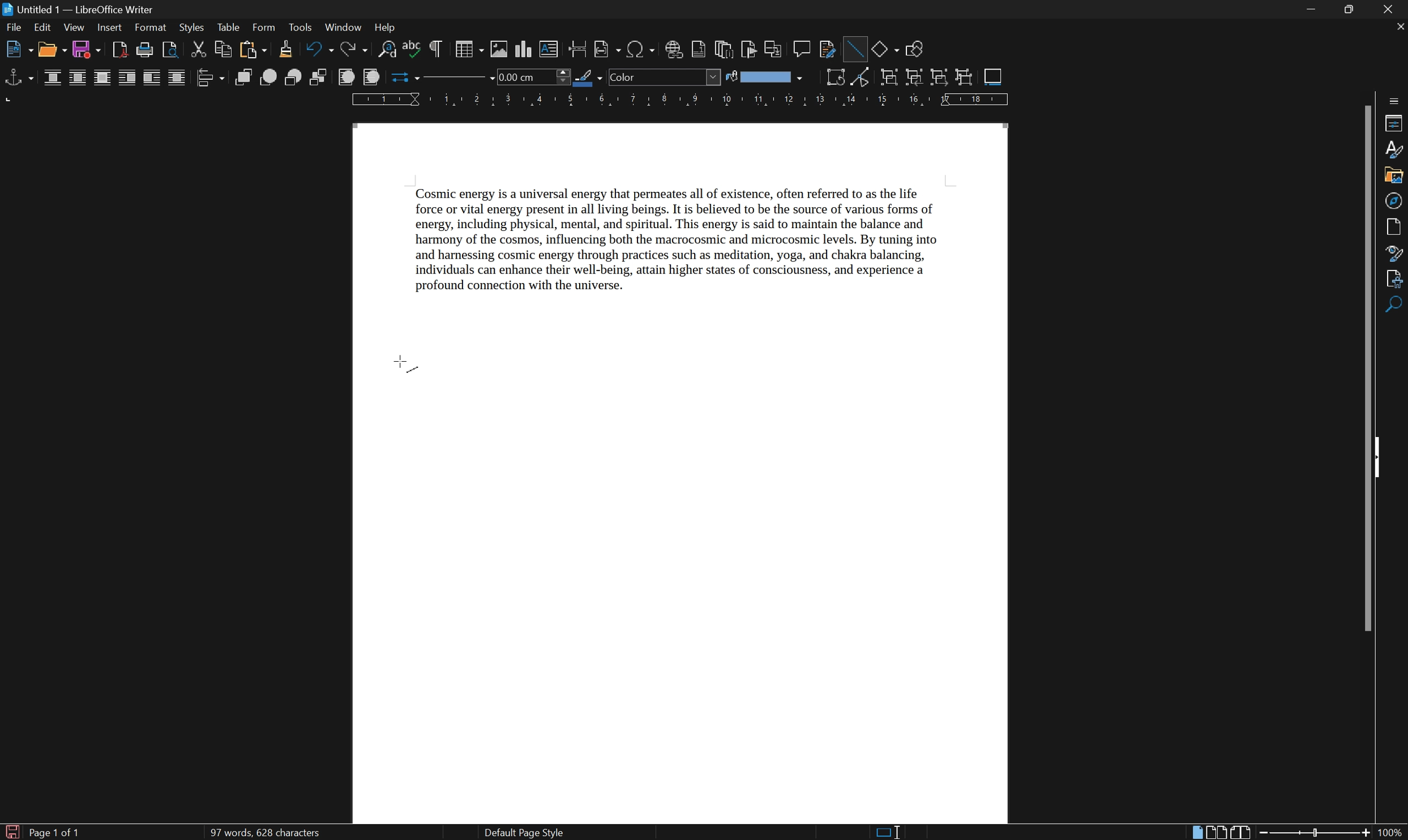 The height and width of the screenshot is (840, 1408). Describe the element at coordinates (152, 79) in the screenshot. I see `after` at that location.